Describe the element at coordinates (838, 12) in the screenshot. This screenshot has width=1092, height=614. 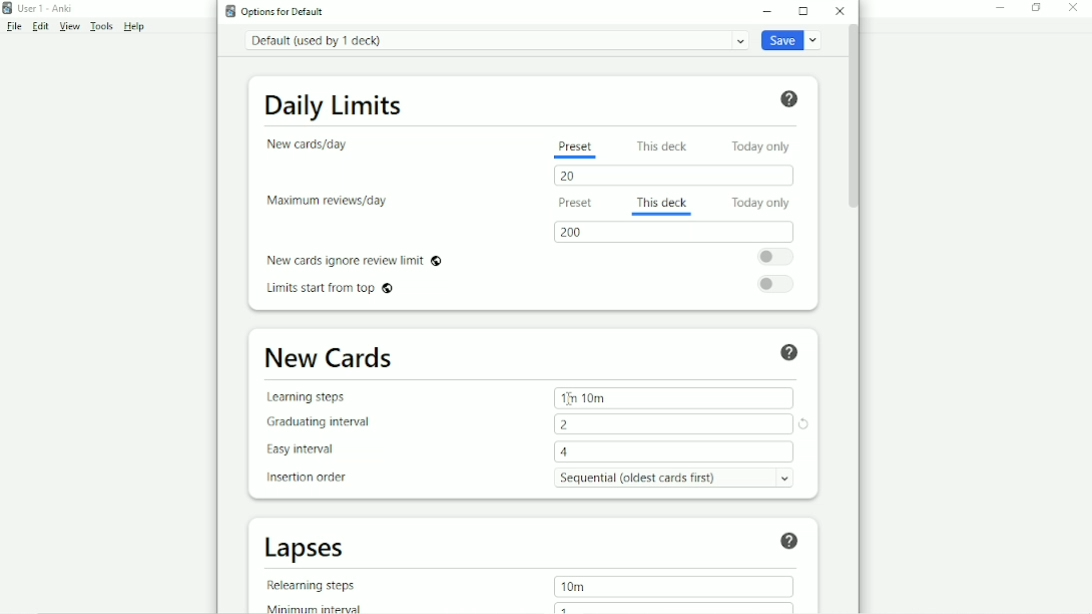
I see `Close` at that location.